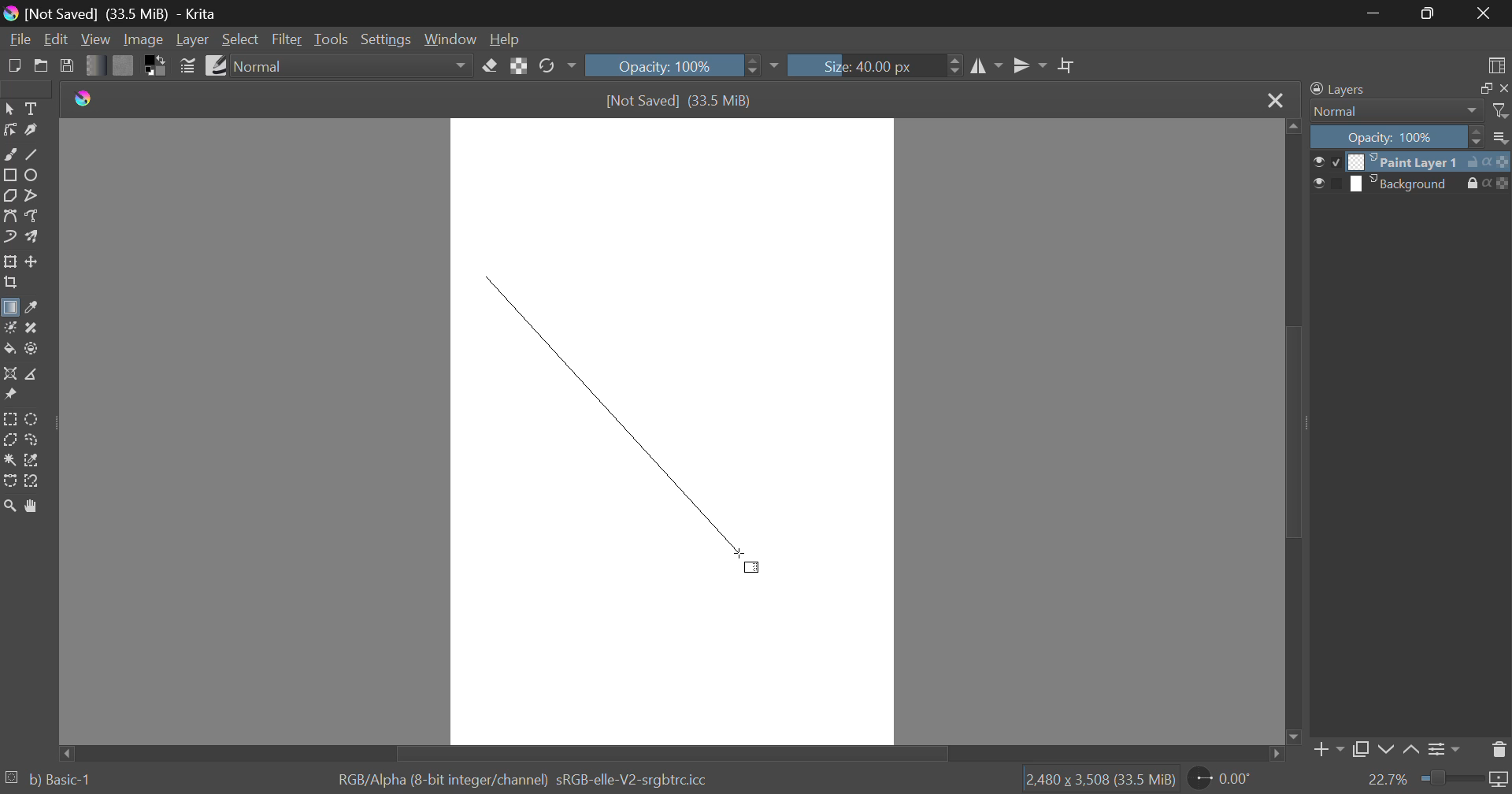  What do you see at coordinates (354, 66) in the screenshot?
I see `Normal` at bounding box center [354, 66].